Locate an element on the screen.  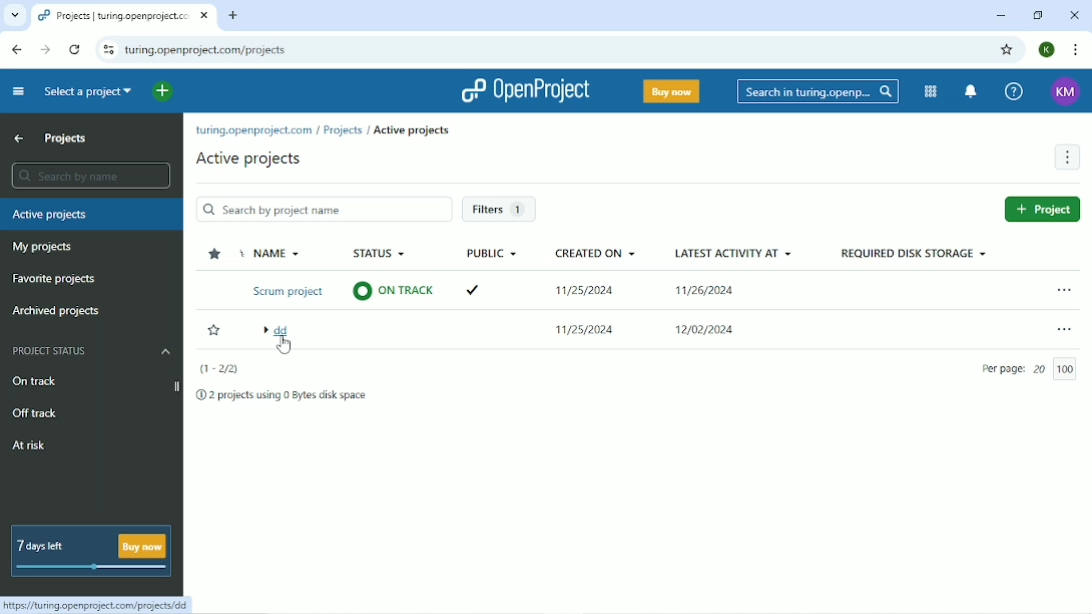
Bookmark this tab is located at coordinates (1006, 50).